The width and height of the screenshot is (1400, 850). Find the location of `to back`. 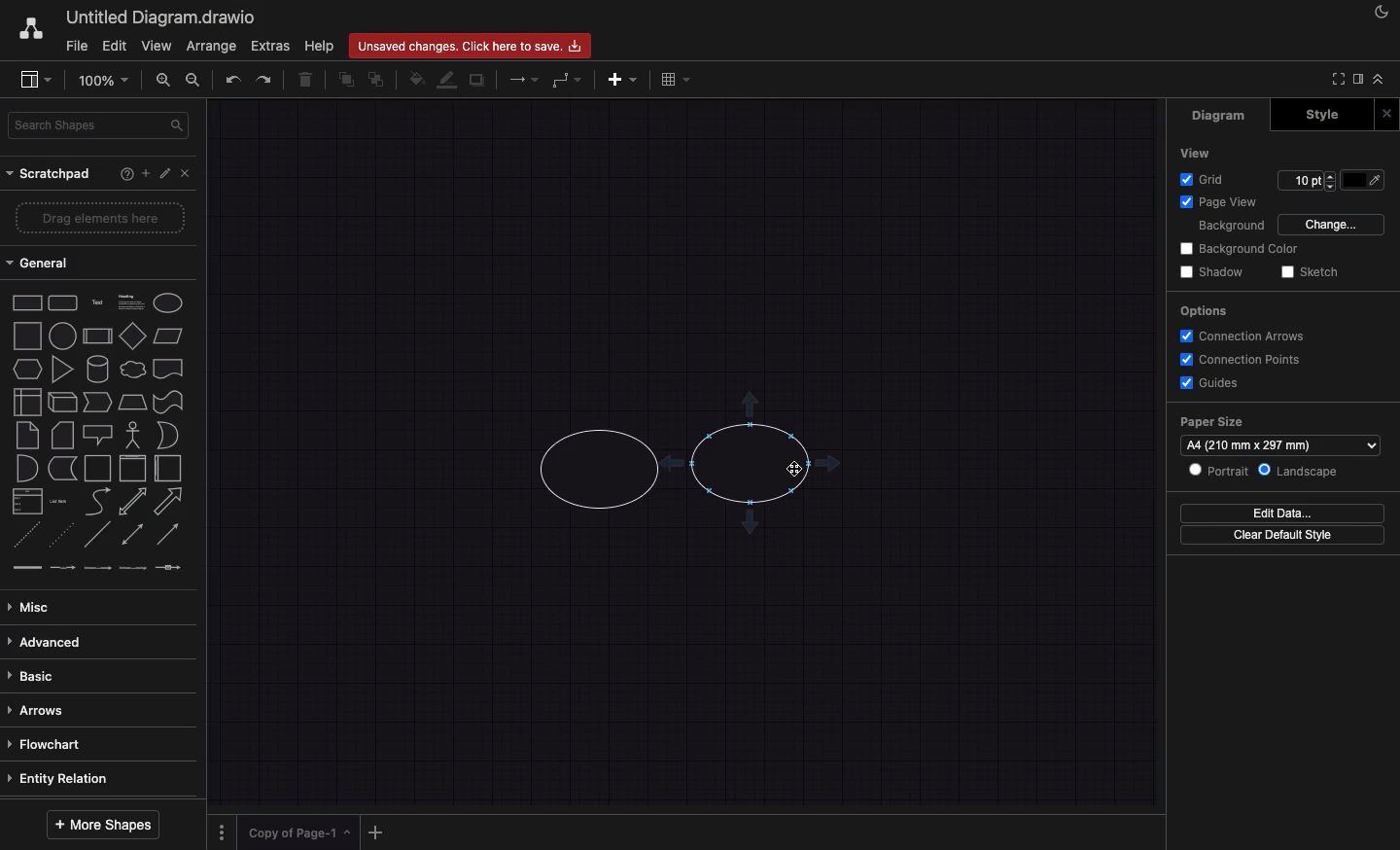

to back is located at coordinates (376, 79).